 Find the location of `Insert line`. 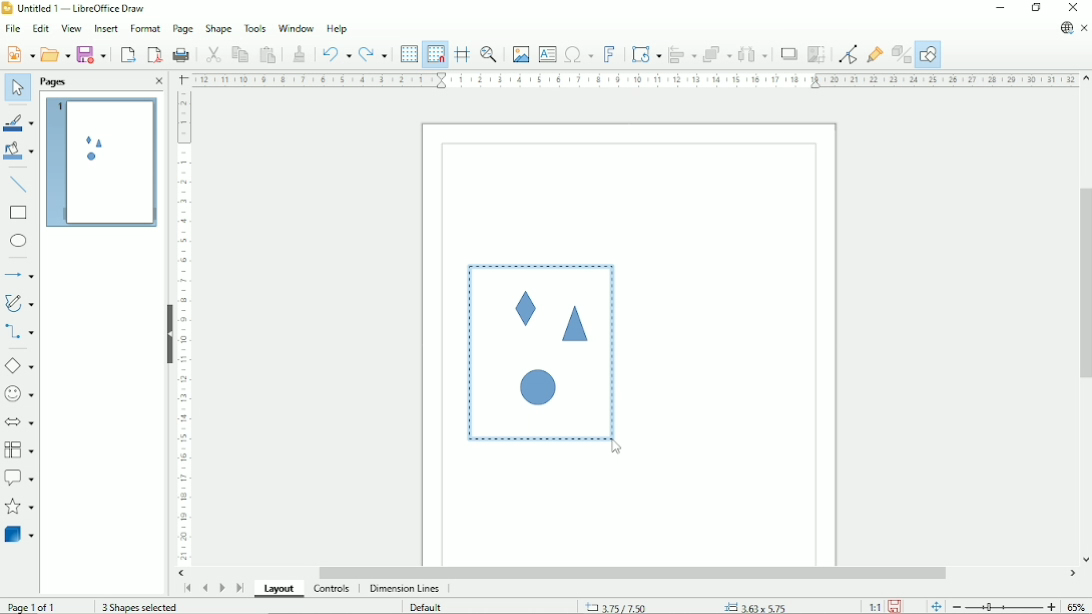

Insert line is located at coordinates (19, 184).